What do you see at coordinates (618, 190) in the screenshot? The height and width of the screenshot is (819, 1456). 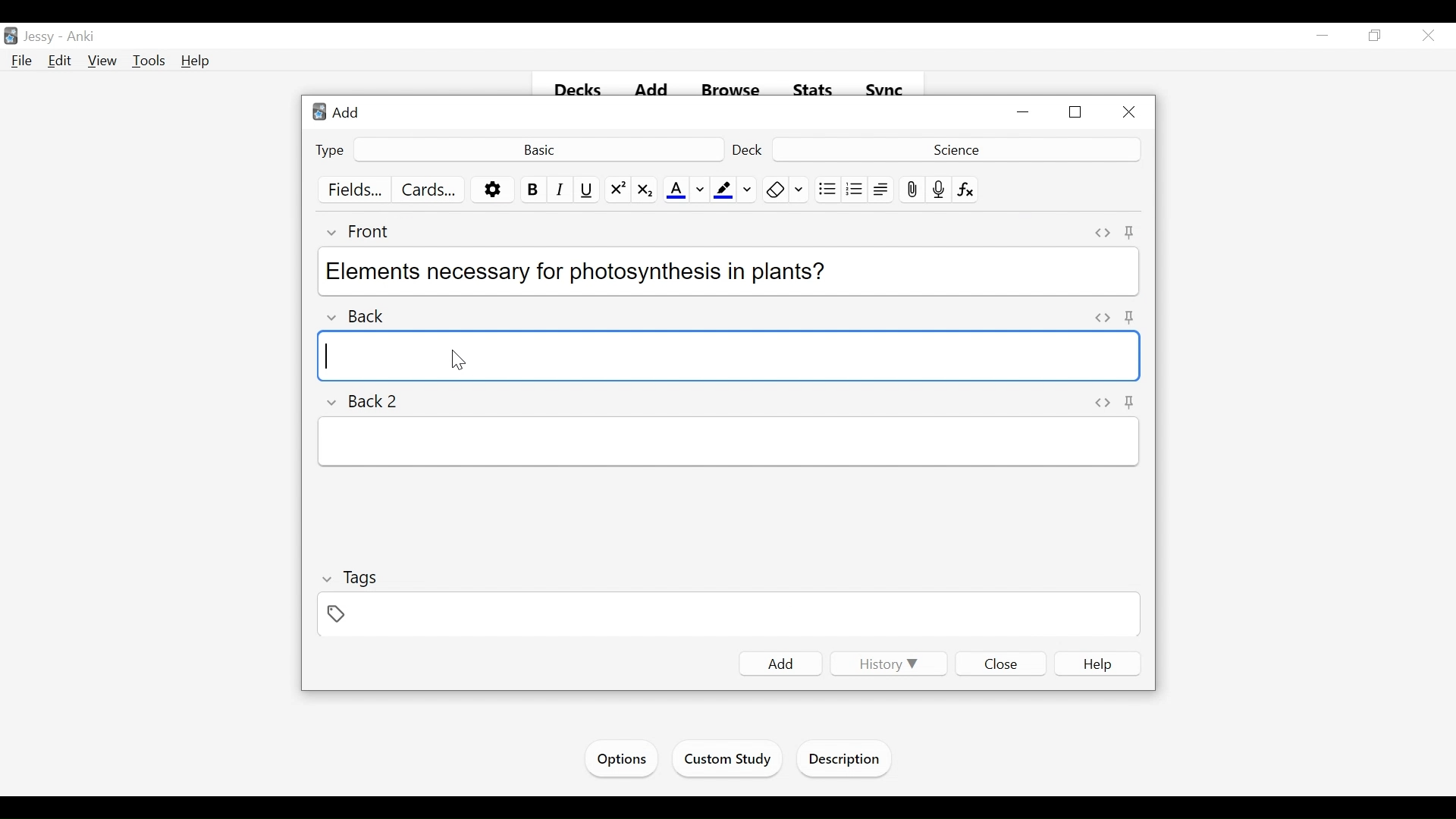 I see `Superscript` at bounding box center [618, 190].